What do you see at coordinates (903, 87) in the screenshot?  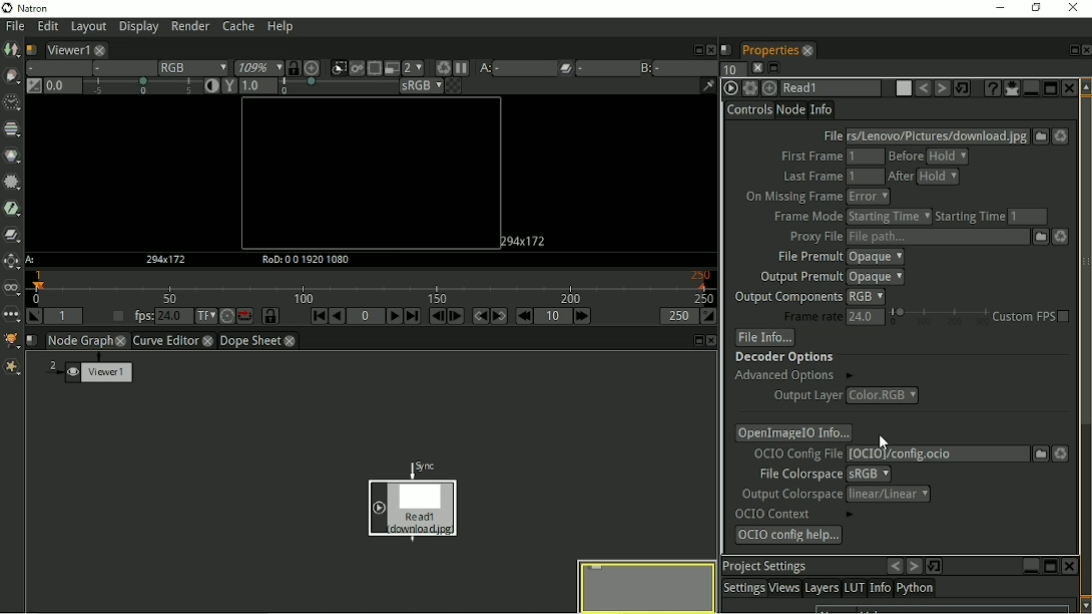 I see `Node color` at bounding box center [903, 87].